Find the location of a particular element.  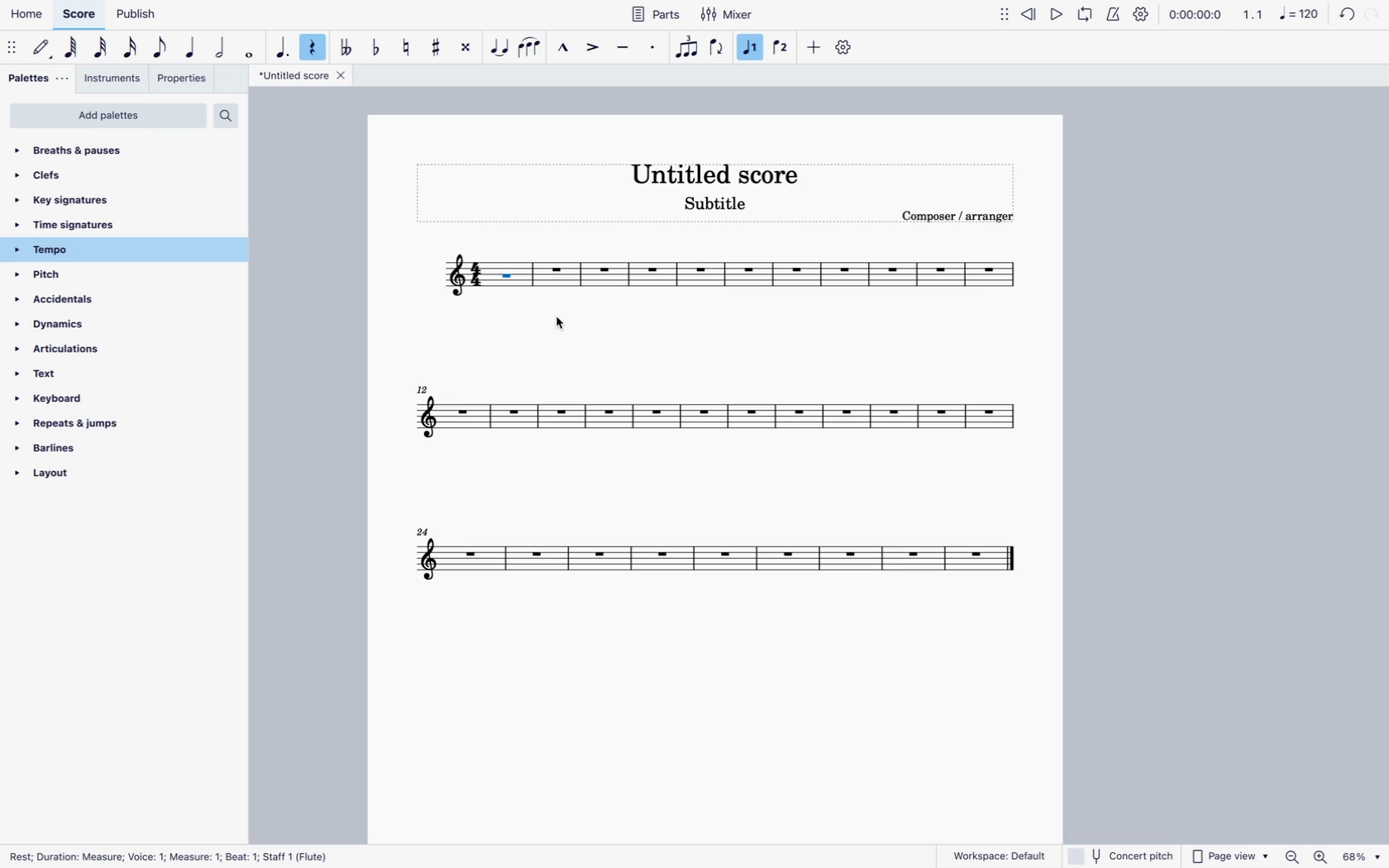

voice 1 is located at coordinates (753, 47).